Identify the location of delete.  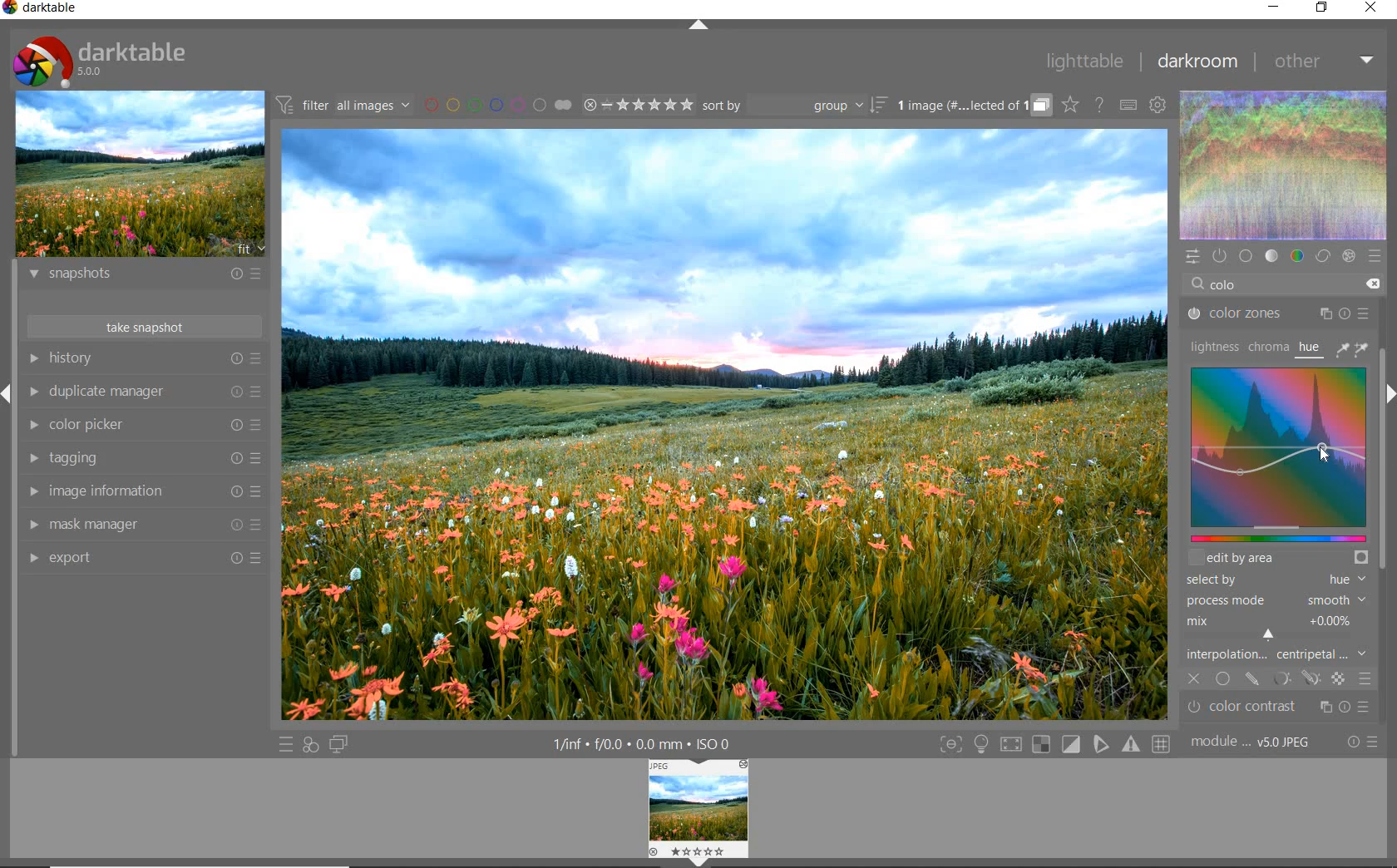
(1373, 284).